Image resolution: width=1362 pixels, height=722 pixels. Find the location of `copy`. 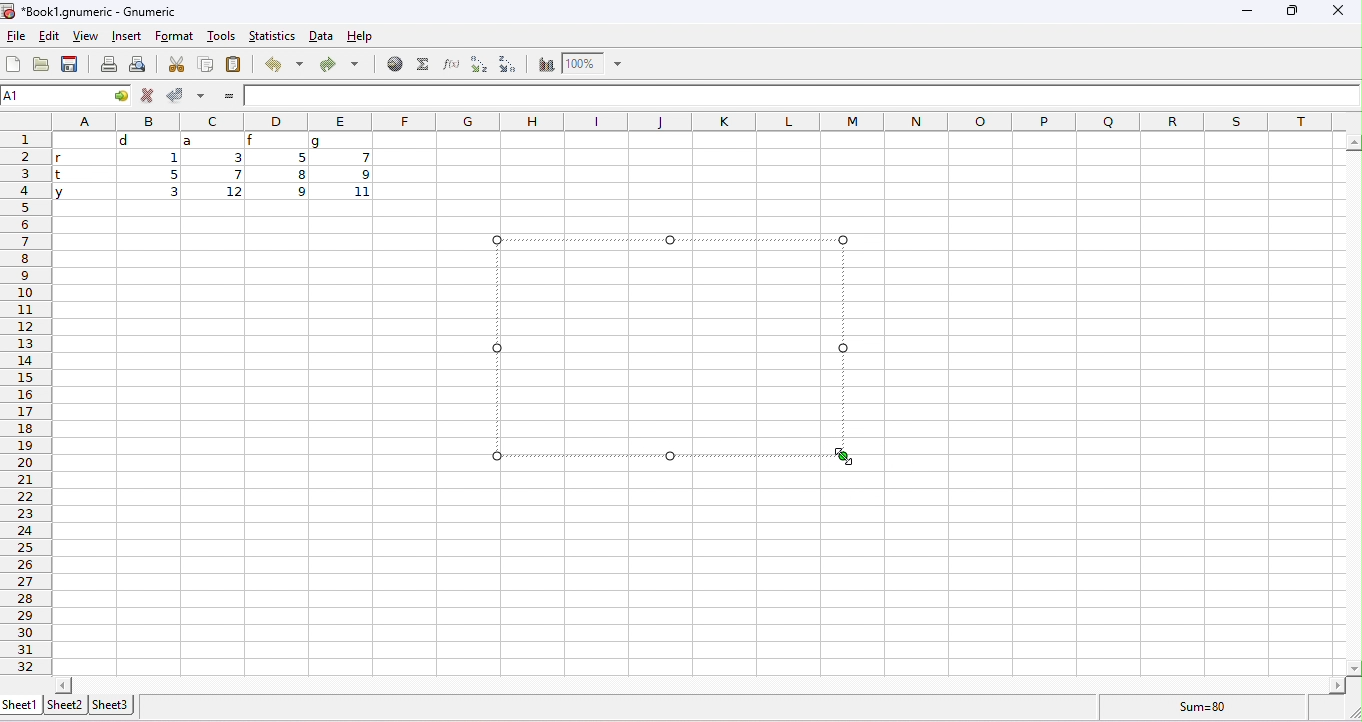

copy is located at coordinates (203, 64).